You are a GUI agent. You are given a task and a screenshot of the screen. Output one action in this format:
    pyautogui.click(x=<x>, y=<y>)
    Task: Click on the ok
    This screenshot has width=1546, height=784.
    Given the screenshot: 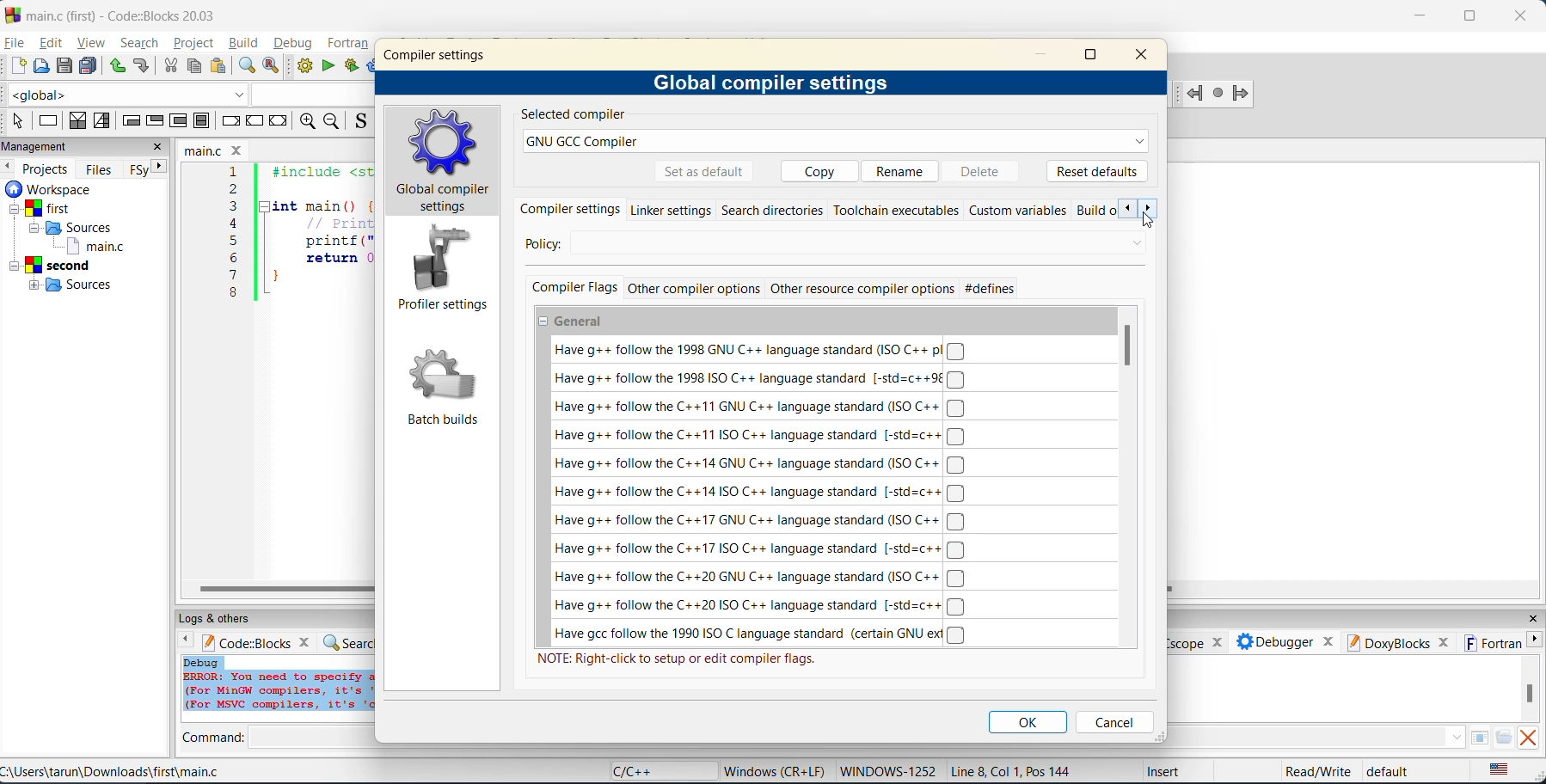 What is the action you would take?
    pyautogui.click(x=1030, y=722)
    